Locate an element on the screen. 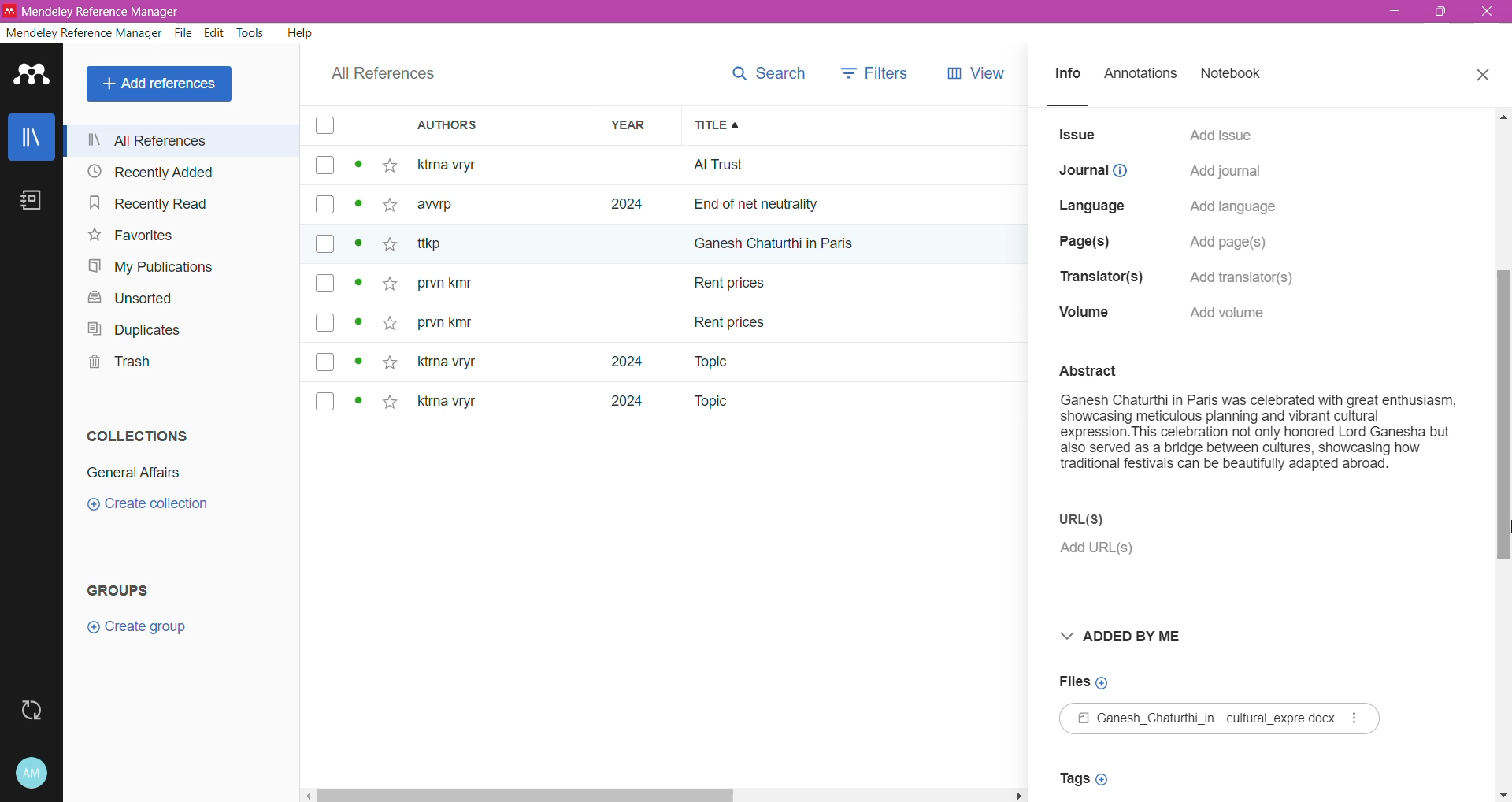  URL(s) is located at coordinates (1113, 519).